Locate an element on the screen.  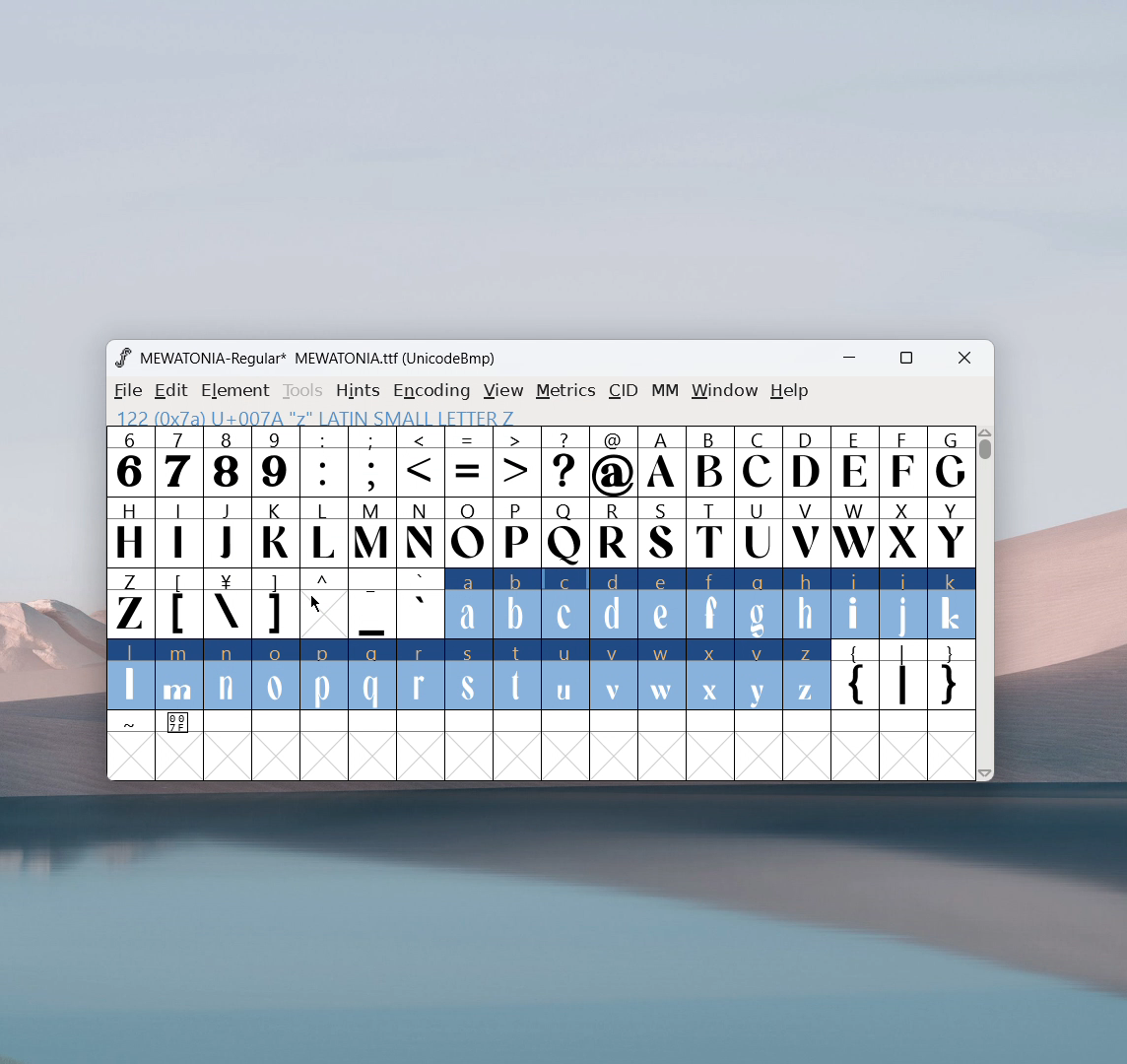
z is located at coordinates (808, 675).